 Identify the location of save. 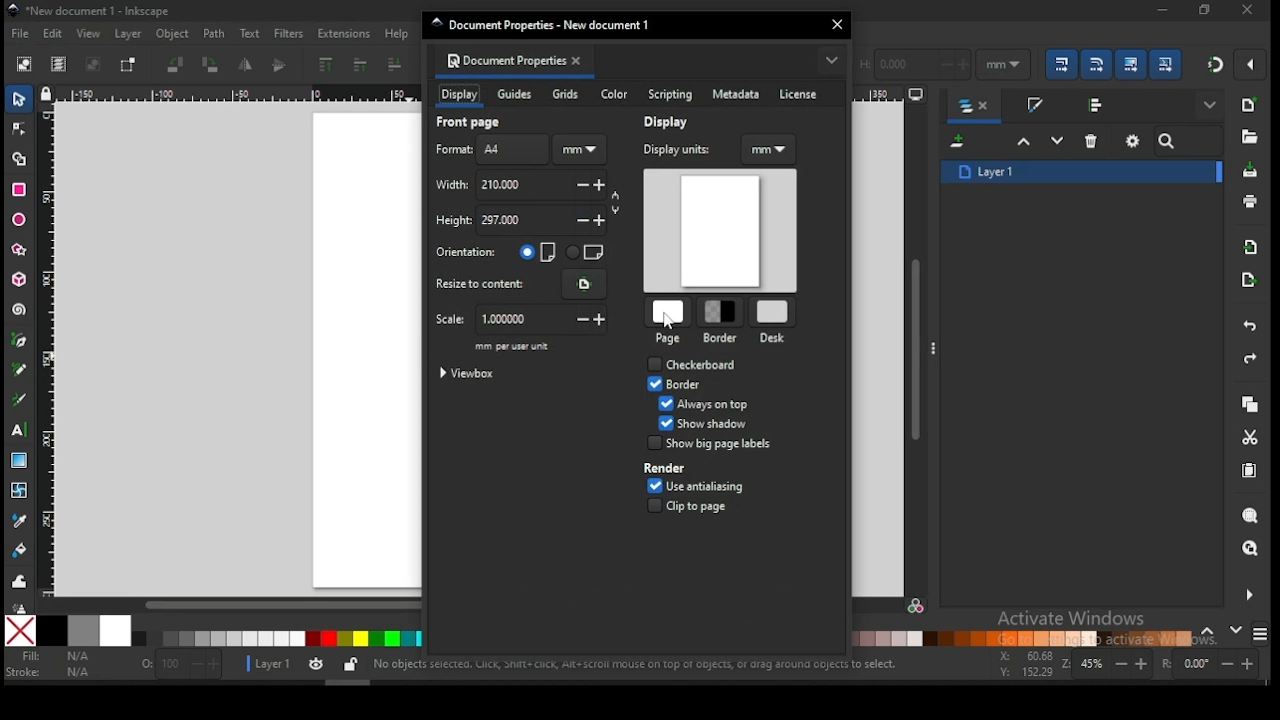
(1248, 171).